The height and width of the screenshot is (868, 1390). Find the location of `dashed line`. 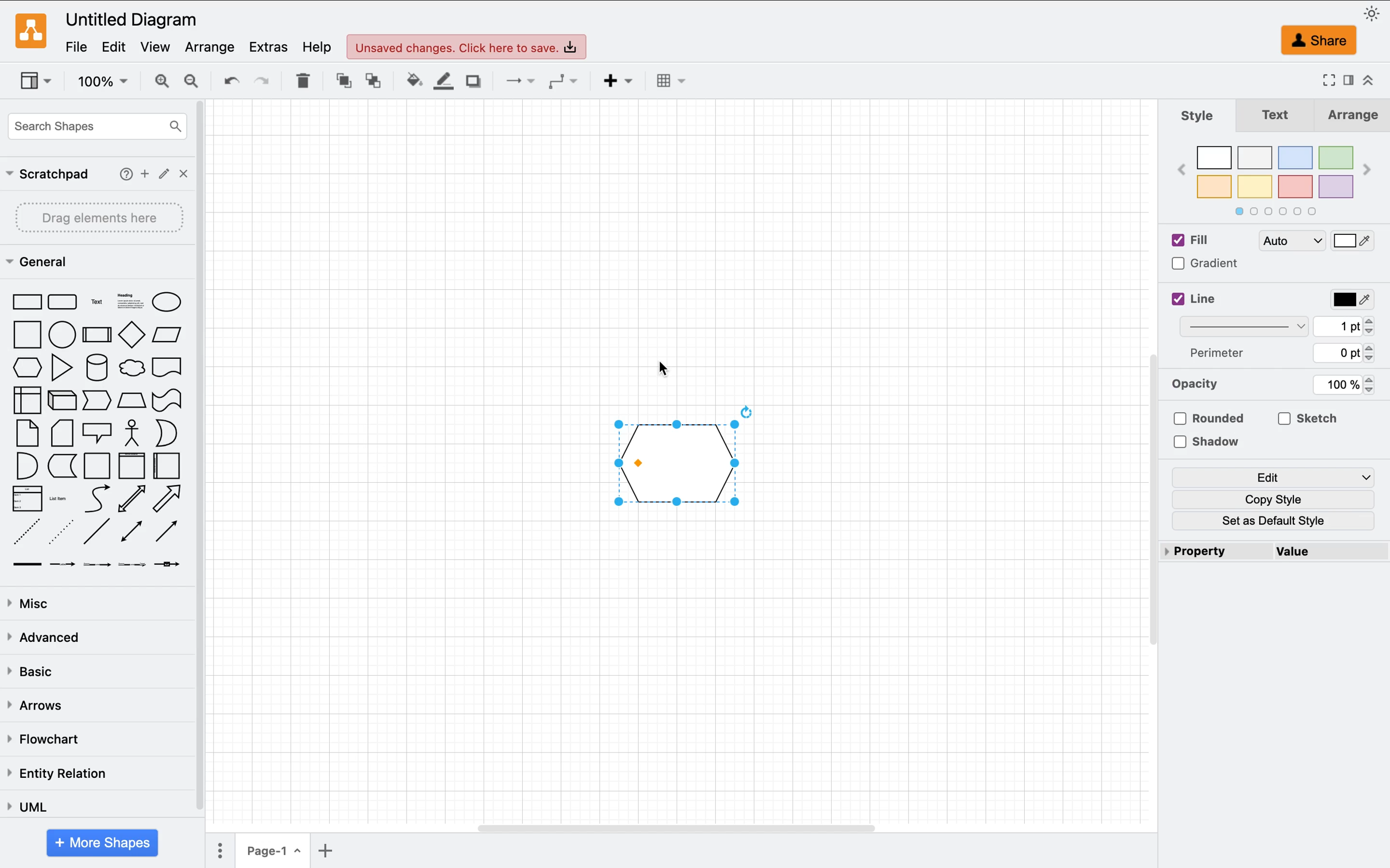

dashed line is located at coordinates (26, 532).